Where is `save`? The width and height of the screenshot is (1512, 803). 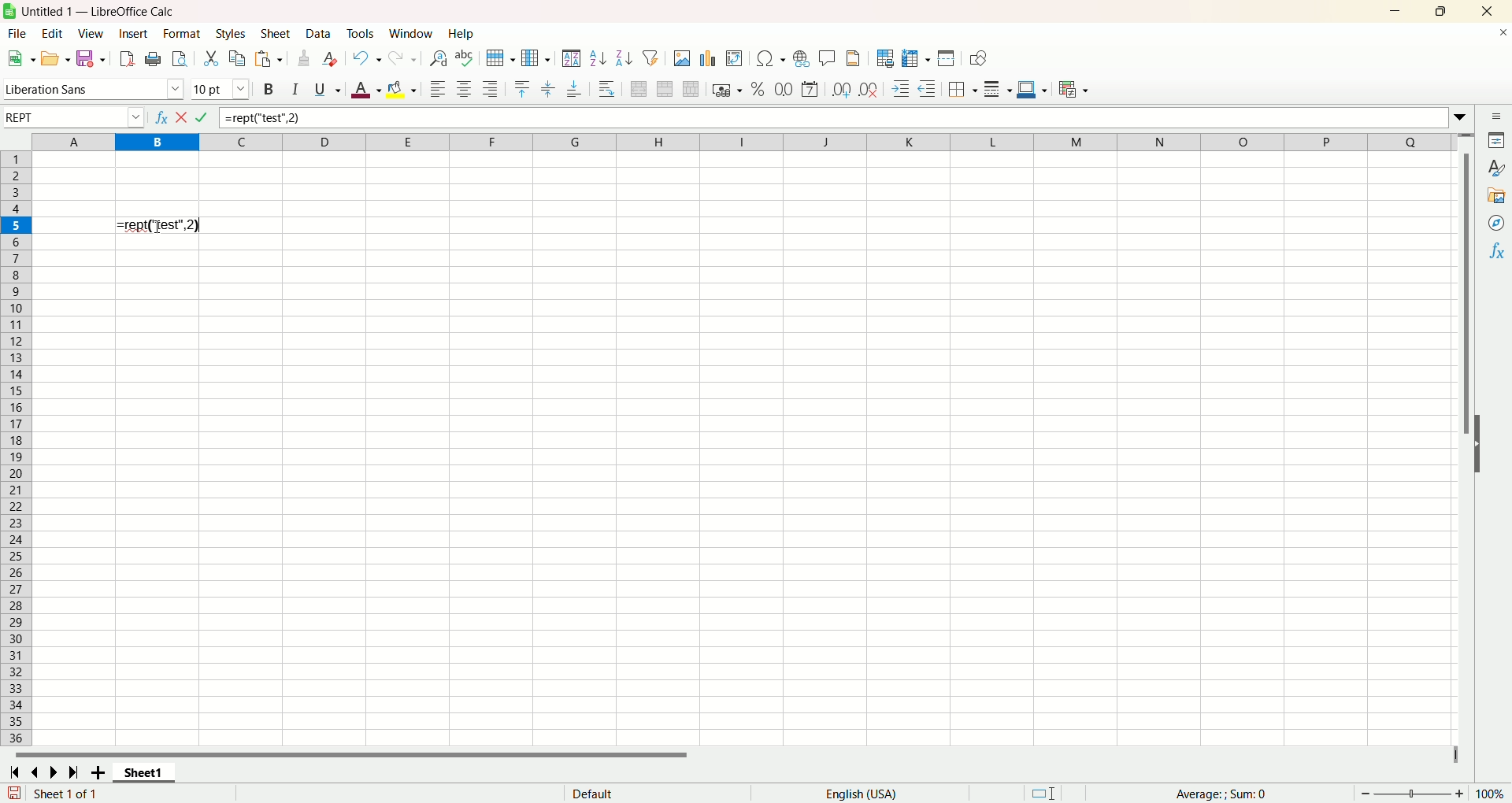 save is located at coordinates (91, 60).